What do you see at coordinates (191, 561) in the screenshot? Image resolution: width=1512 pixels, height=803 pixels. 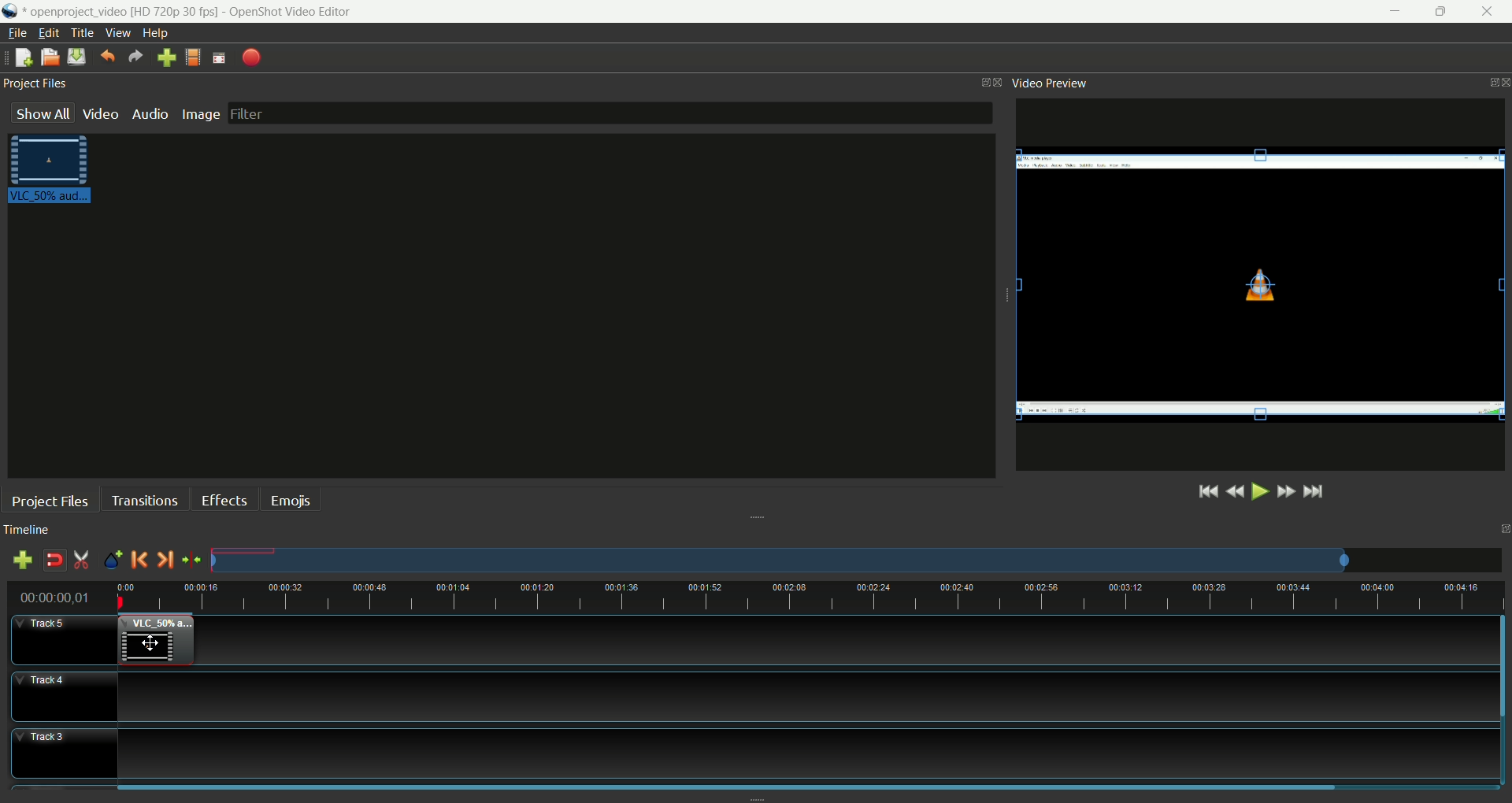 I see `center the timeline on the playhead` at bounding box center [191, 561].